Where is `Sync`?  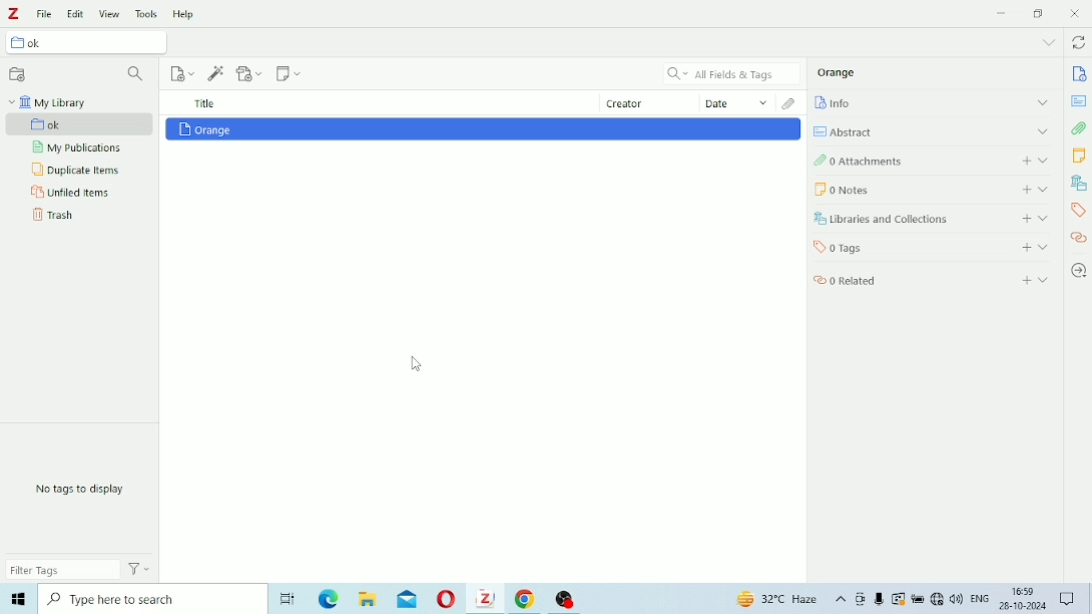 Sync is located at coordinates (1078, 44).